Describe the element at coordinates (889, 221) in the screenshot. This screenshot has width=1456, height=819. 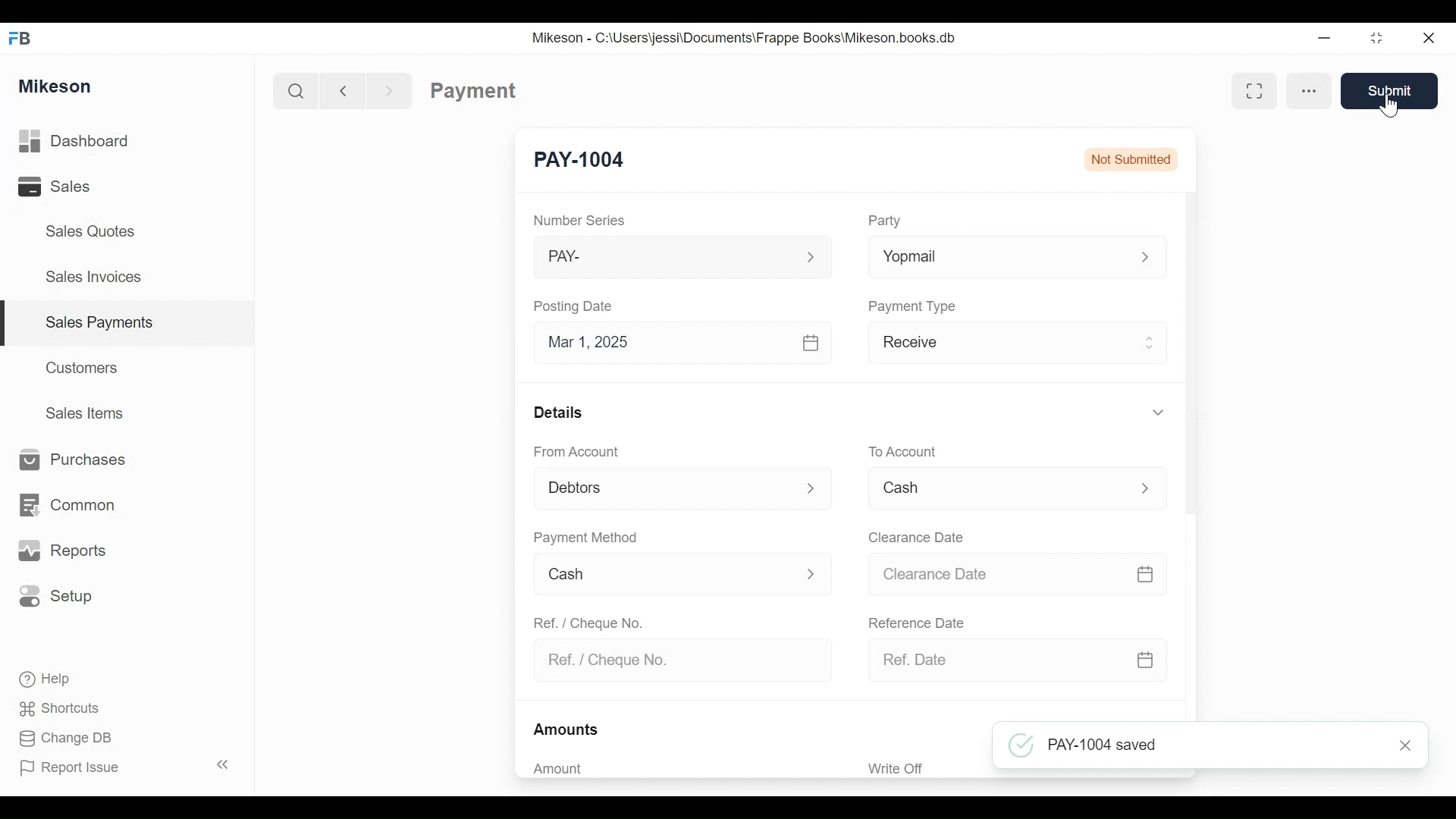
I see `Party` at that location.